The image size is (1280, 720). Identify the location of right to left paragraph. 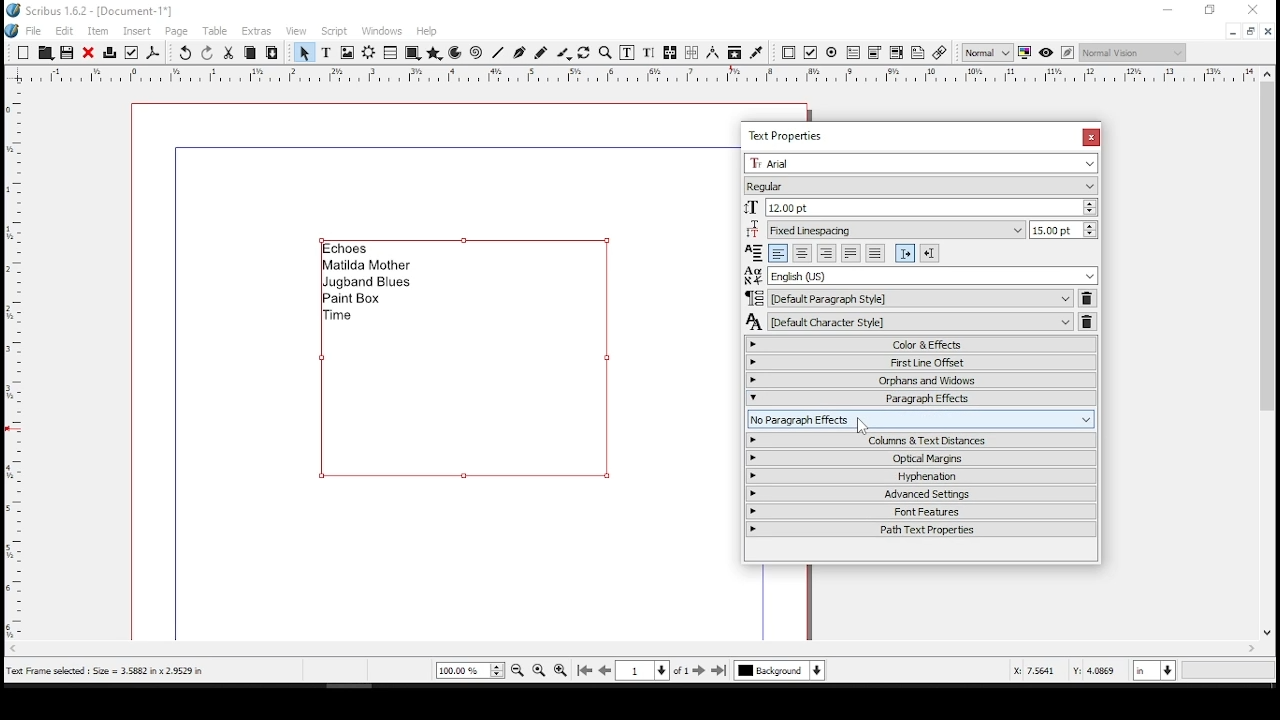
(929, 253).